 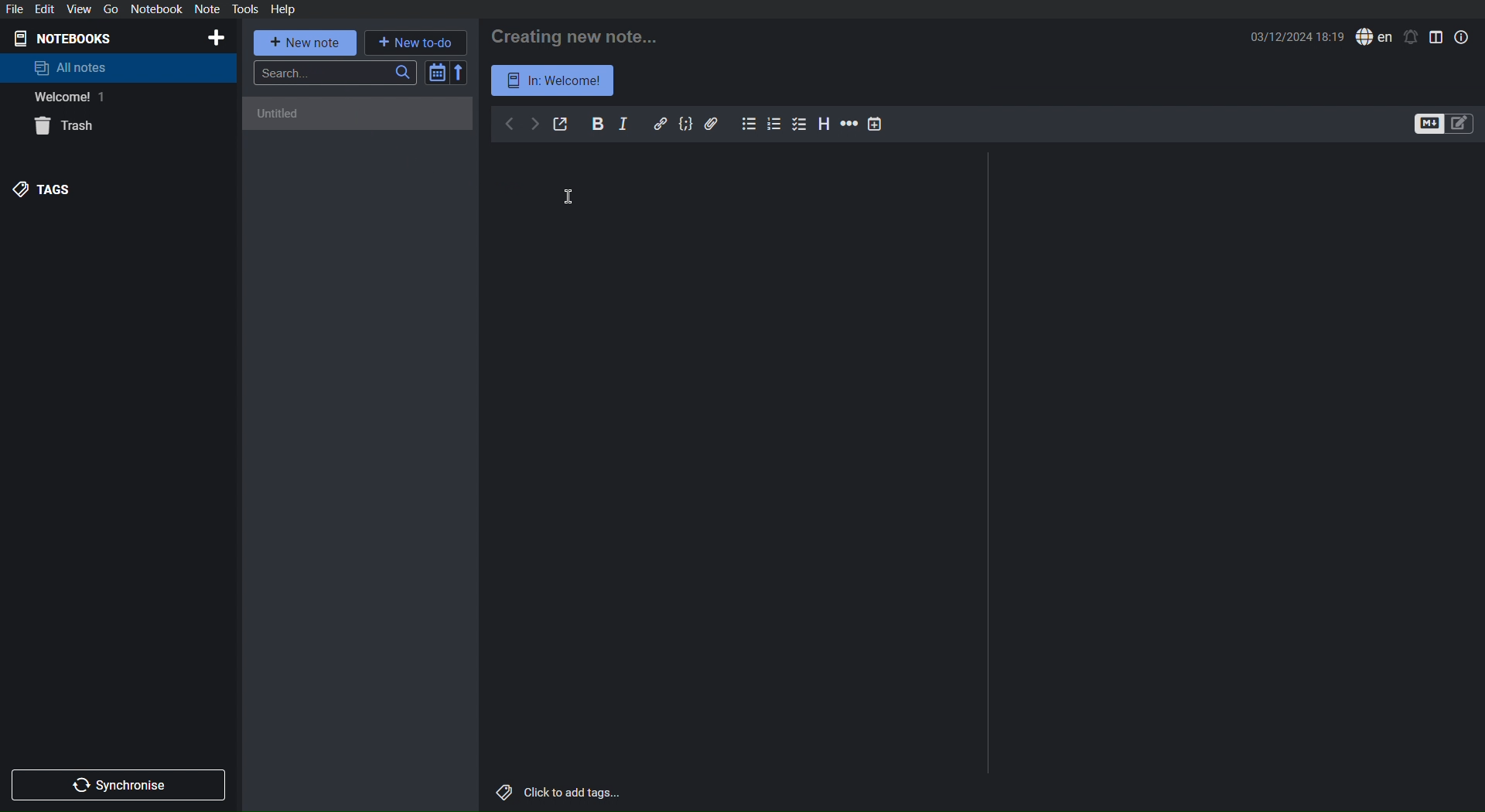 I want to click on Insert Time, so click(x=876, y=124).